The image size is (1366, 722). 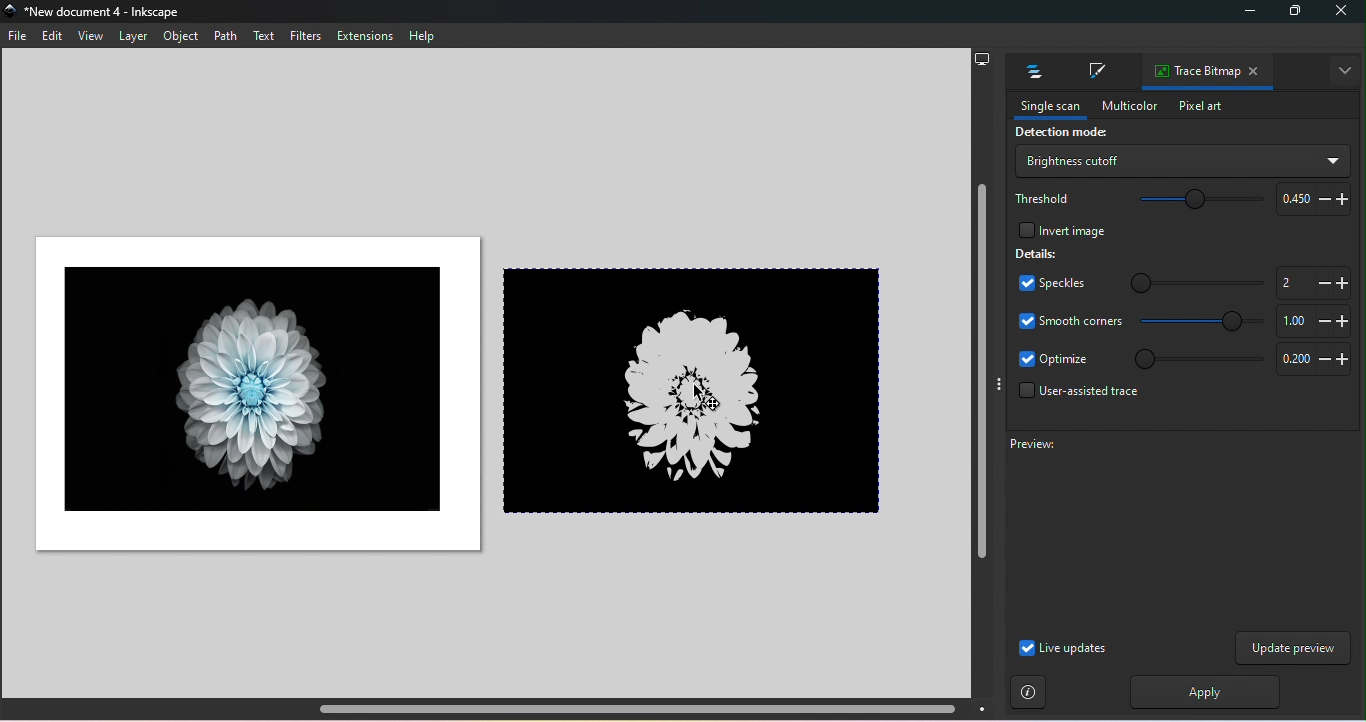 What do you see at coordinates (1310, 198) in the screenshot?
I see `Increase or decrease threshold` at bounding box center [1310, 198].